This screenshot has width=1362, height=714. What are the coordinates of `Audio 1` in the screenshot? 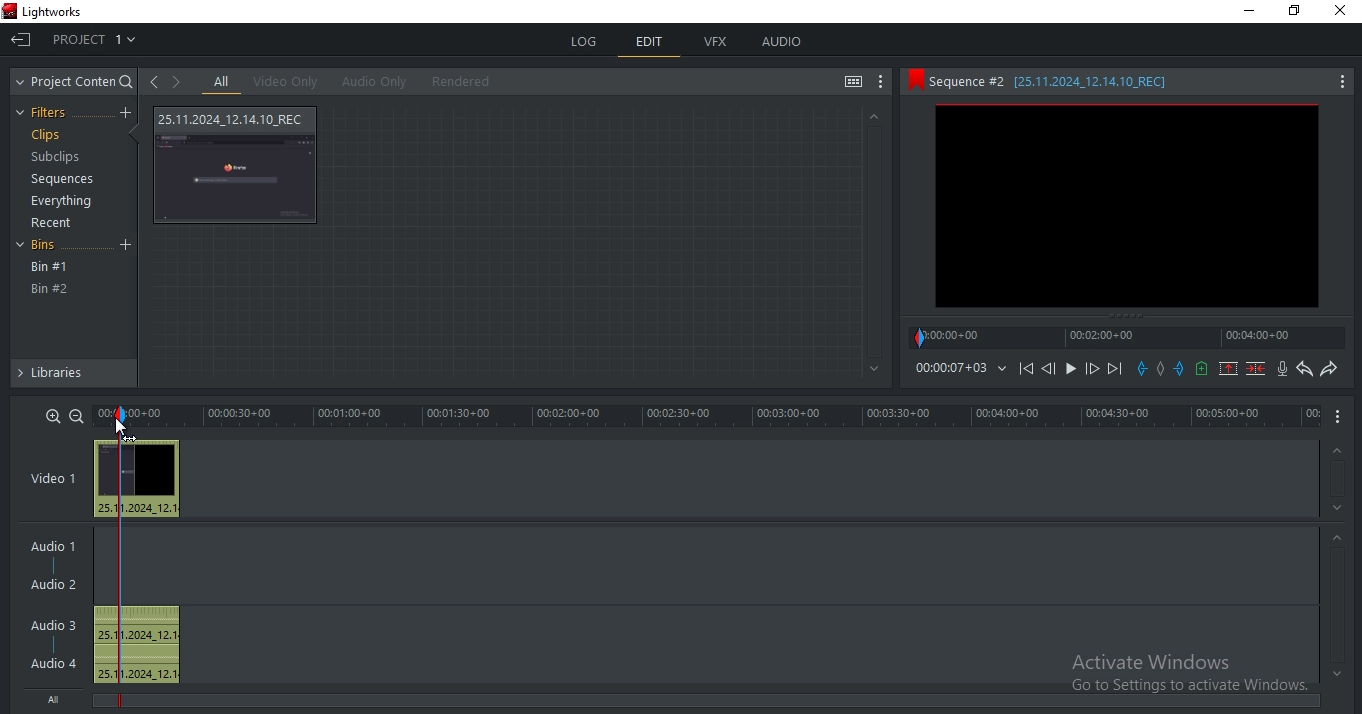 It's located at (57, 543).